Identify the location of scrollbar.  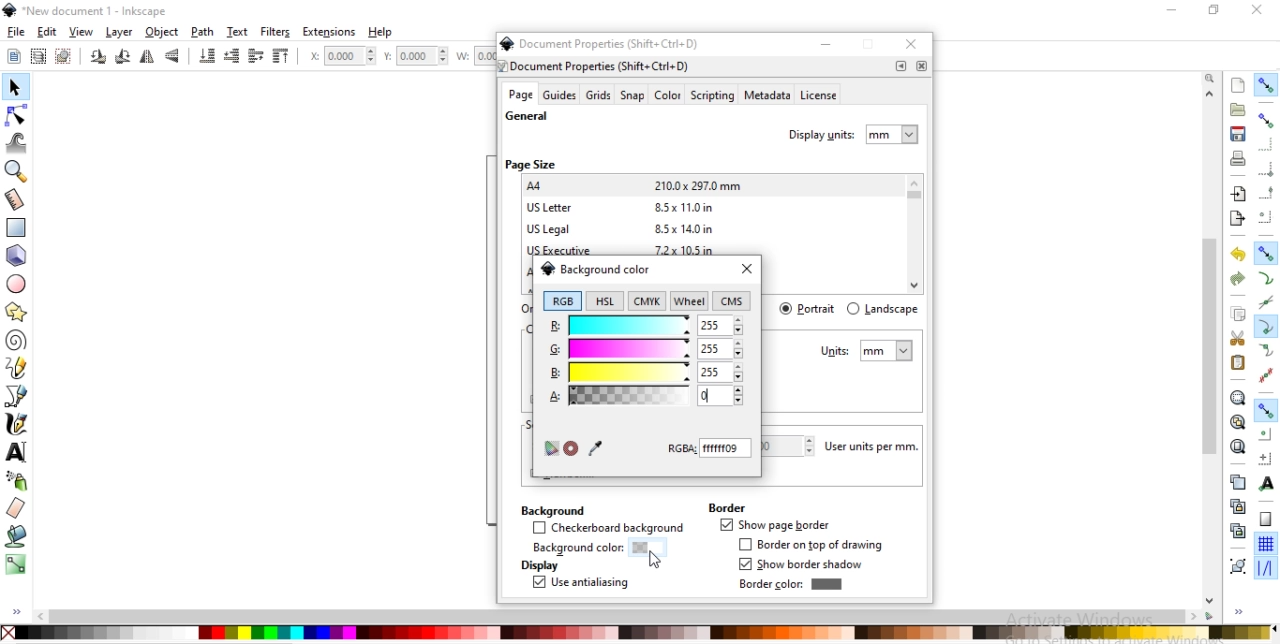
(1211, 398).